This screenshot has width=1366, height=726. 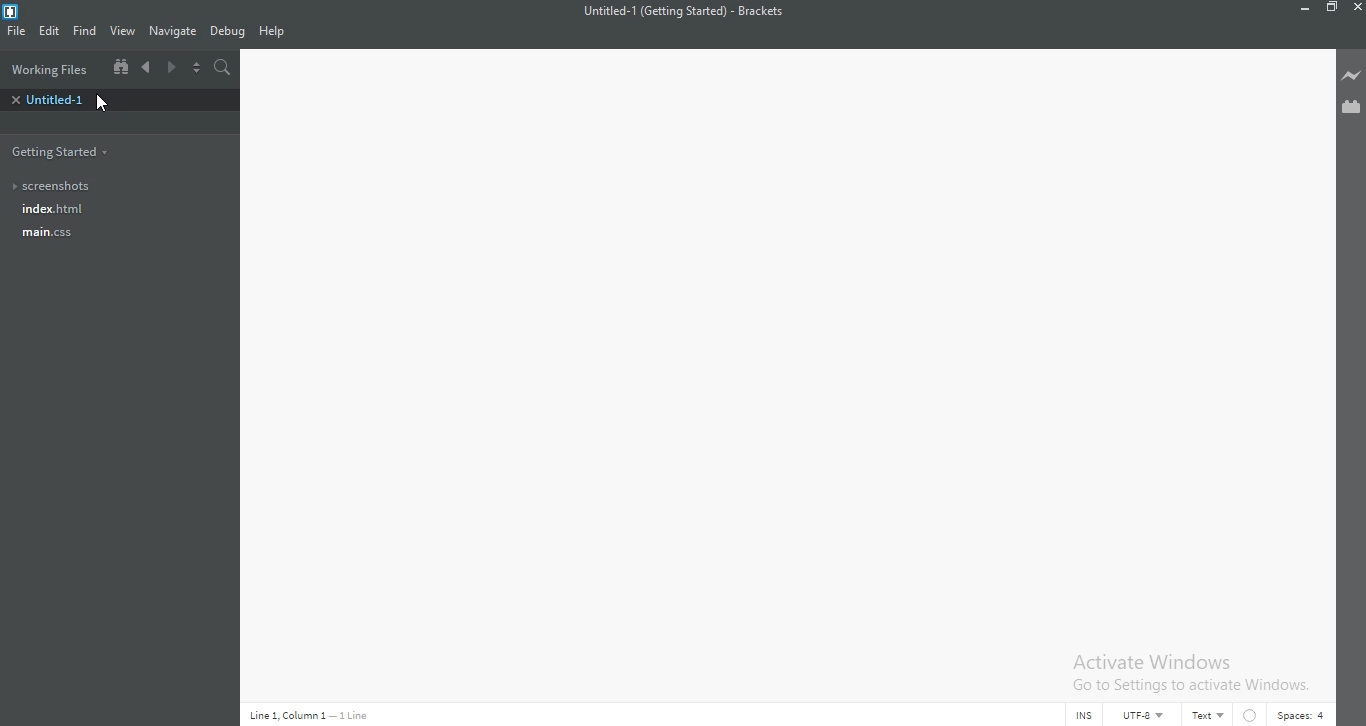 What do you see at coordinates (12, 12) in the screenshot?
I see `Brackets Desktop icon` at bounding box center [12, 12].